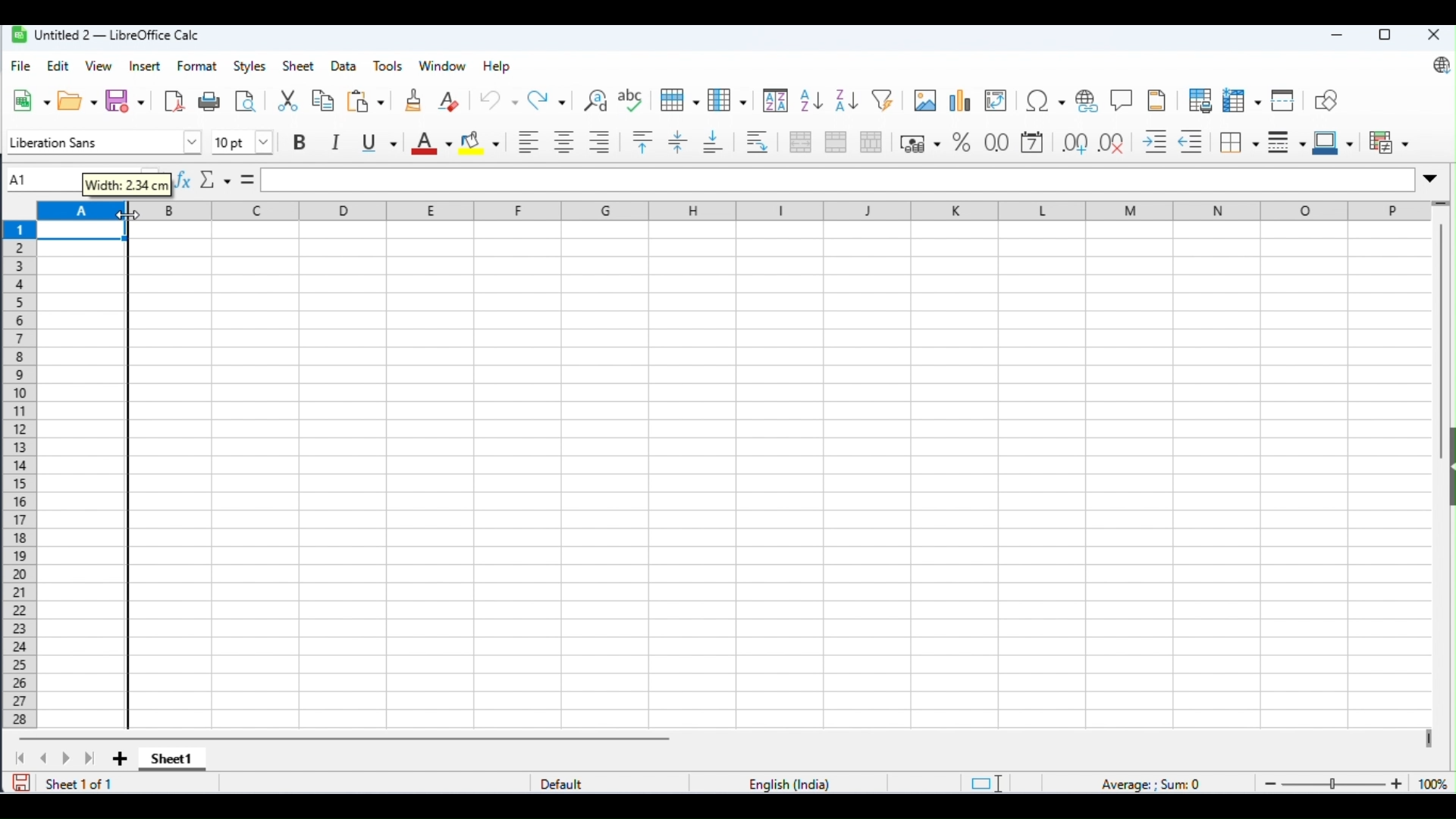  What do you see at coordinates (1034, 143) in the screenshot?
I see `format as date` at bounding box center [1034, 143].